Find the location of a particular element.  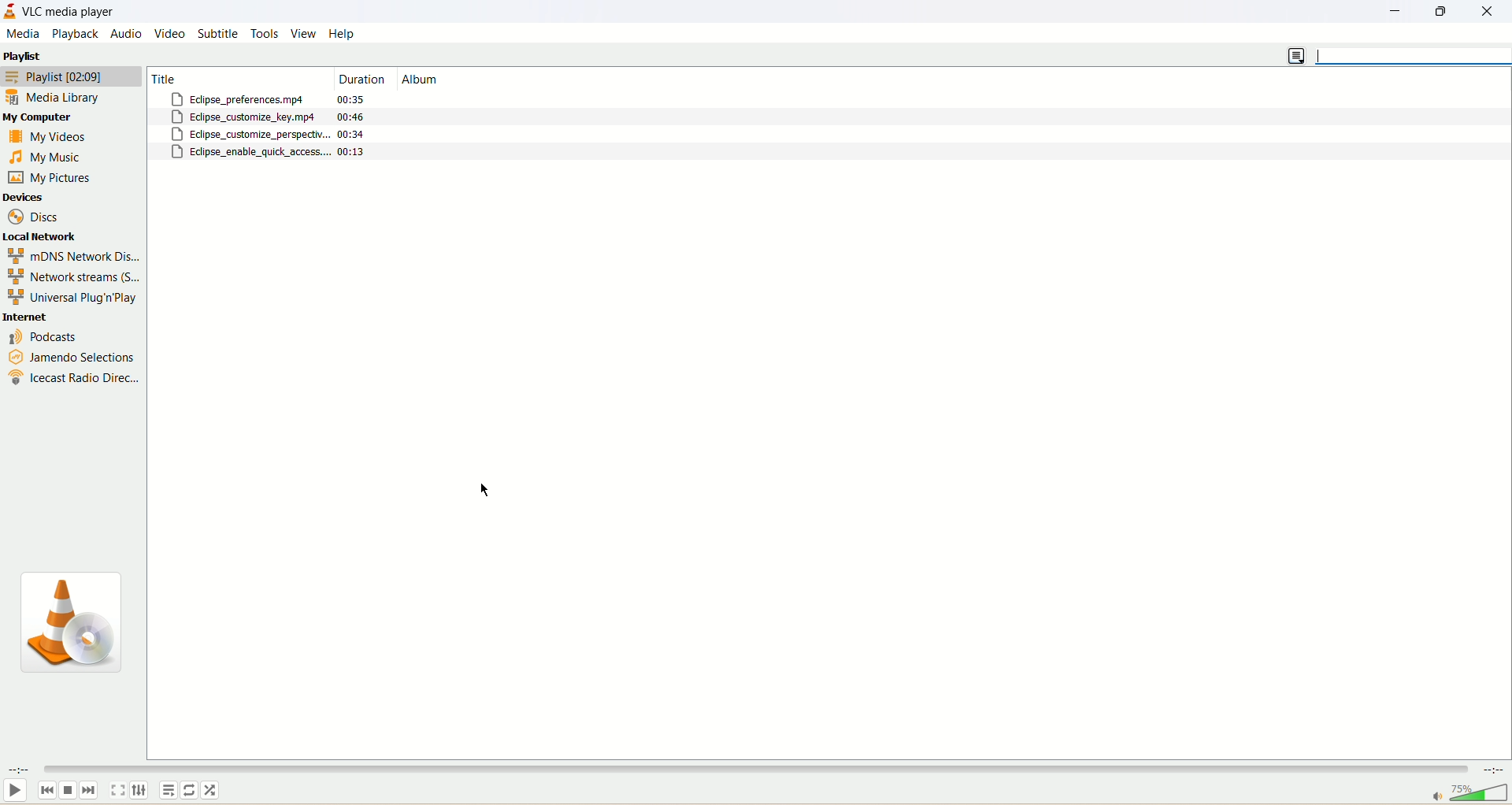

playlist is located at coordinates (169, 791).